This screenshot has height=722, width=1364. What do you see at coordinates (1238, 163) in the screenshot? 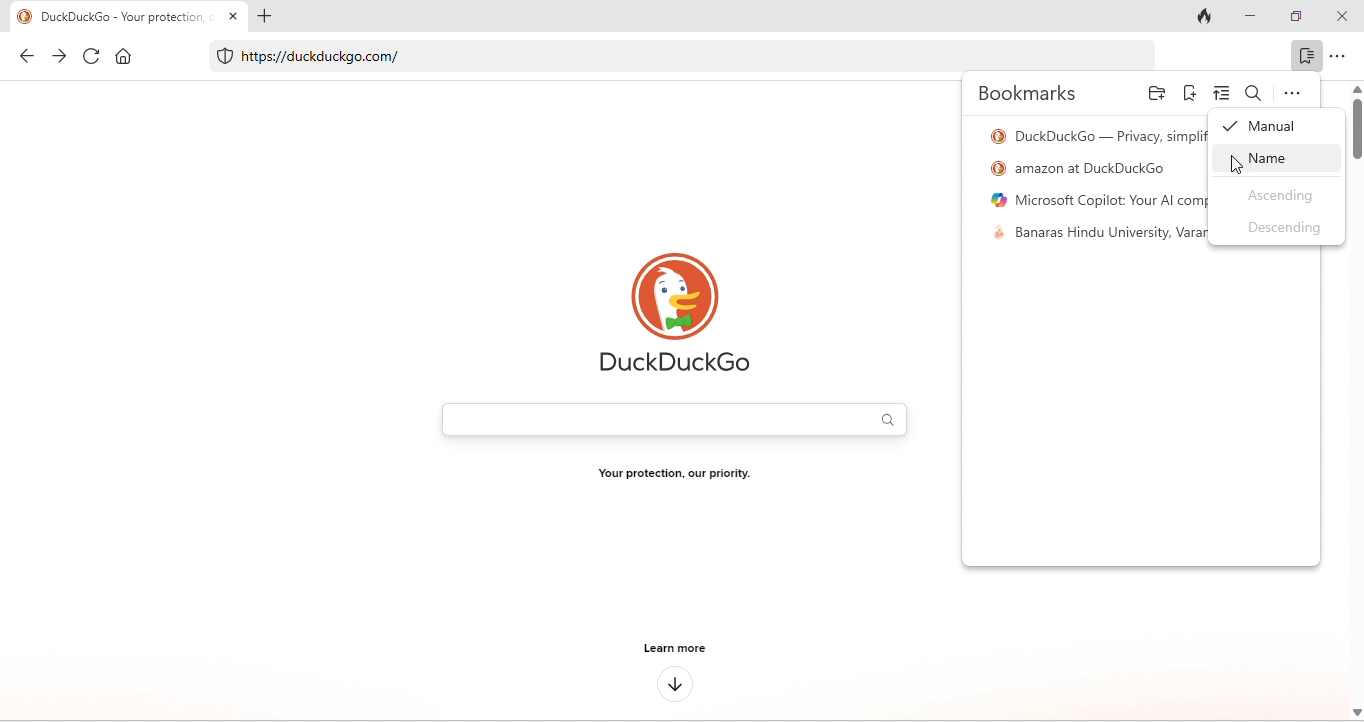
I see `cursor movement` at bounding box center [1238, 163].